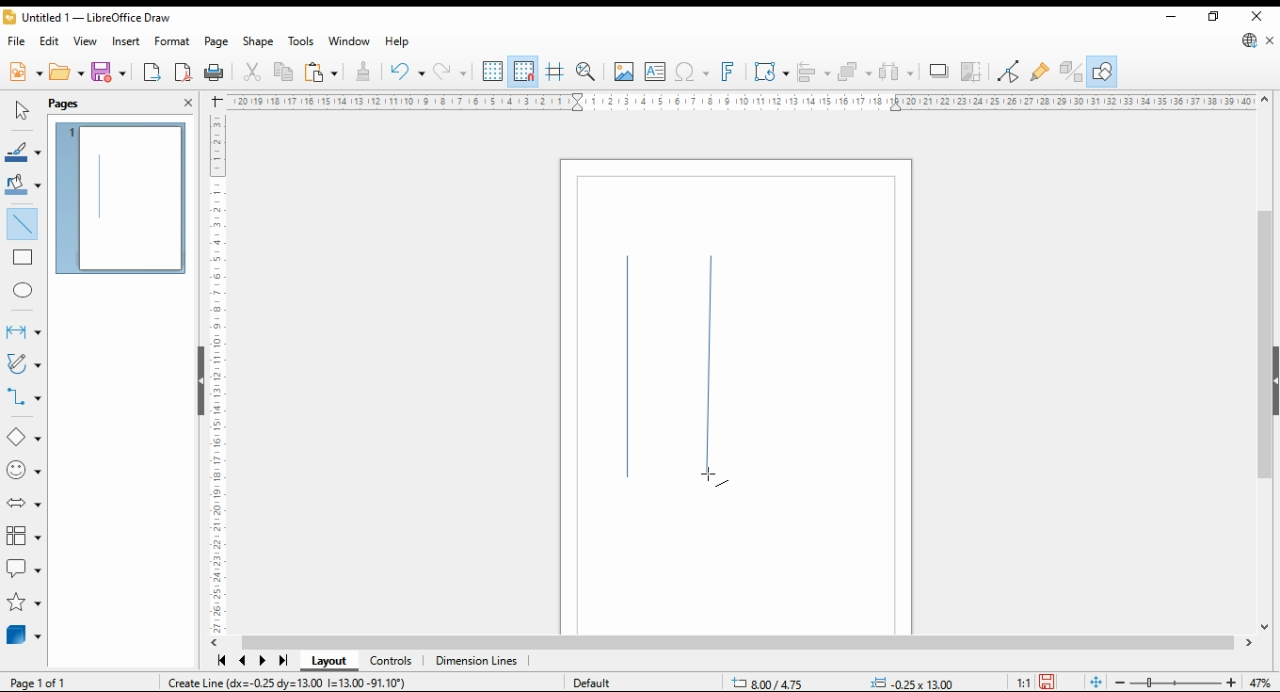 Image resolution: width=1280 pixels, height=692 pixels. Describe the element at coordinates (556, 70) in the screenshot. I see `helplines for moving` at that location.